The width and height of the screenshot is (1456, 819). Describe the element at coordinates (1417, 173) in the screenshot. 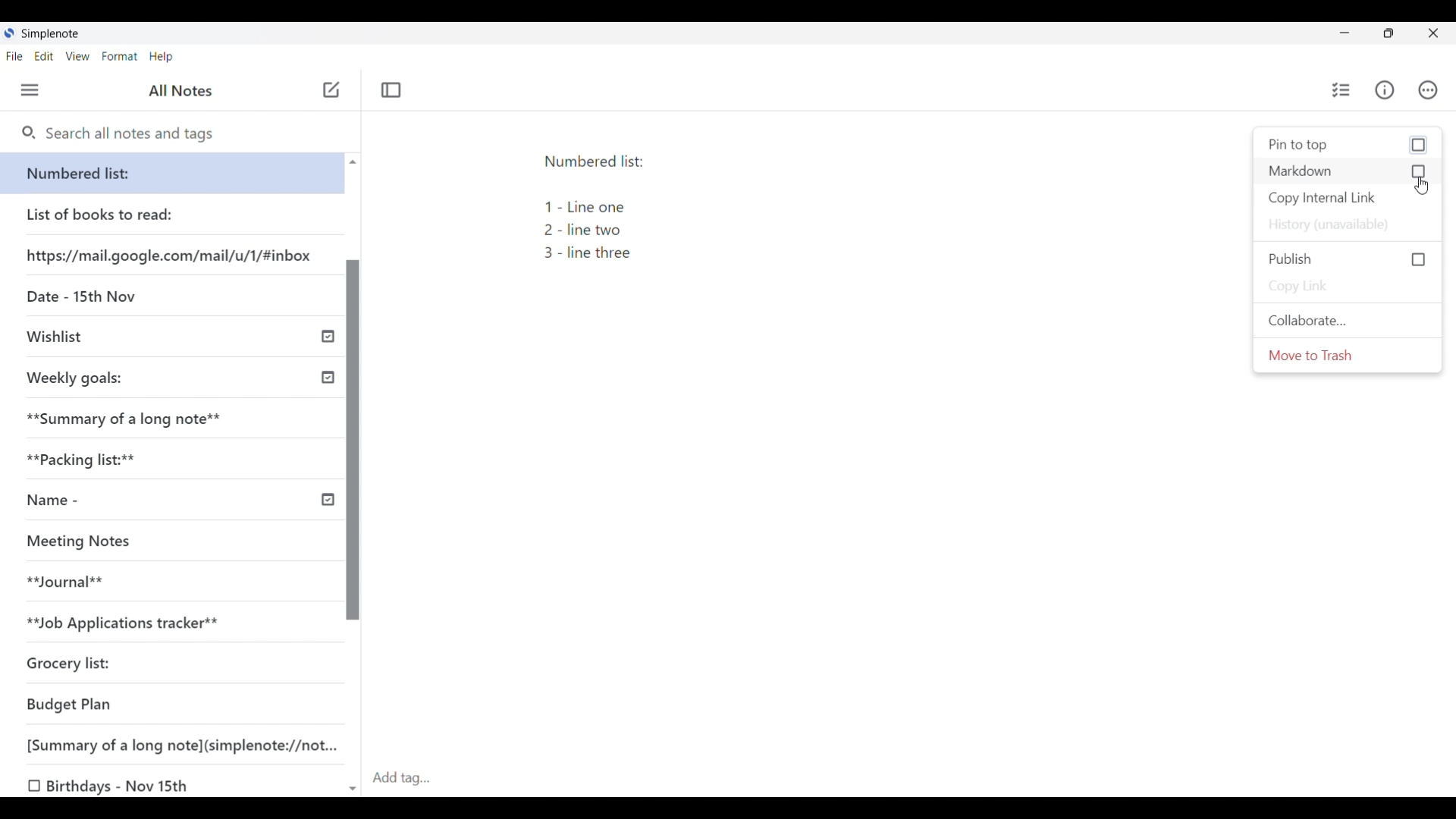

I see `checkbox` at that location.